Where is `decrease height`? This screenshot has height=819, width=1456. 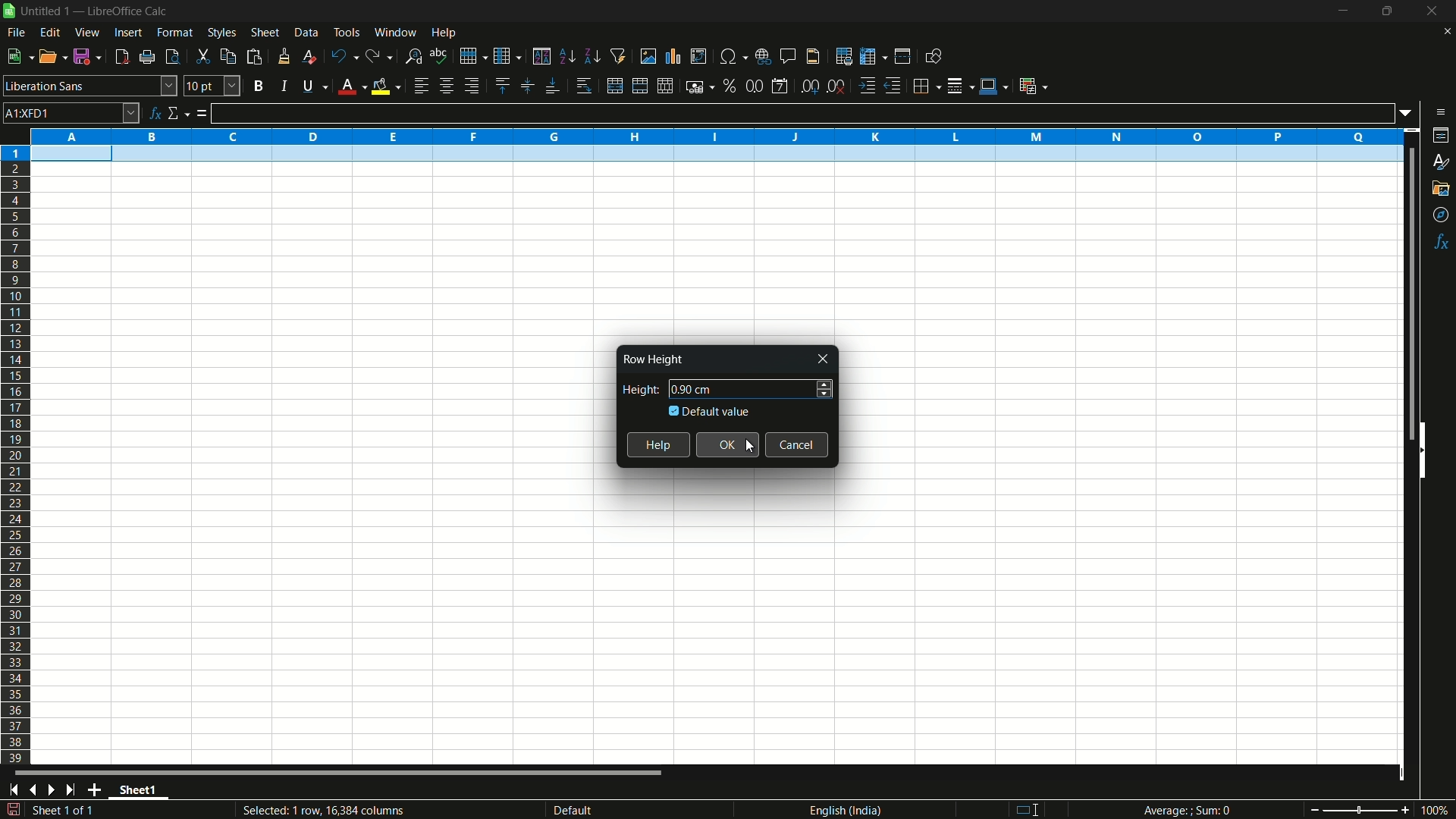
decrease height is located at coordinates (824, 395).